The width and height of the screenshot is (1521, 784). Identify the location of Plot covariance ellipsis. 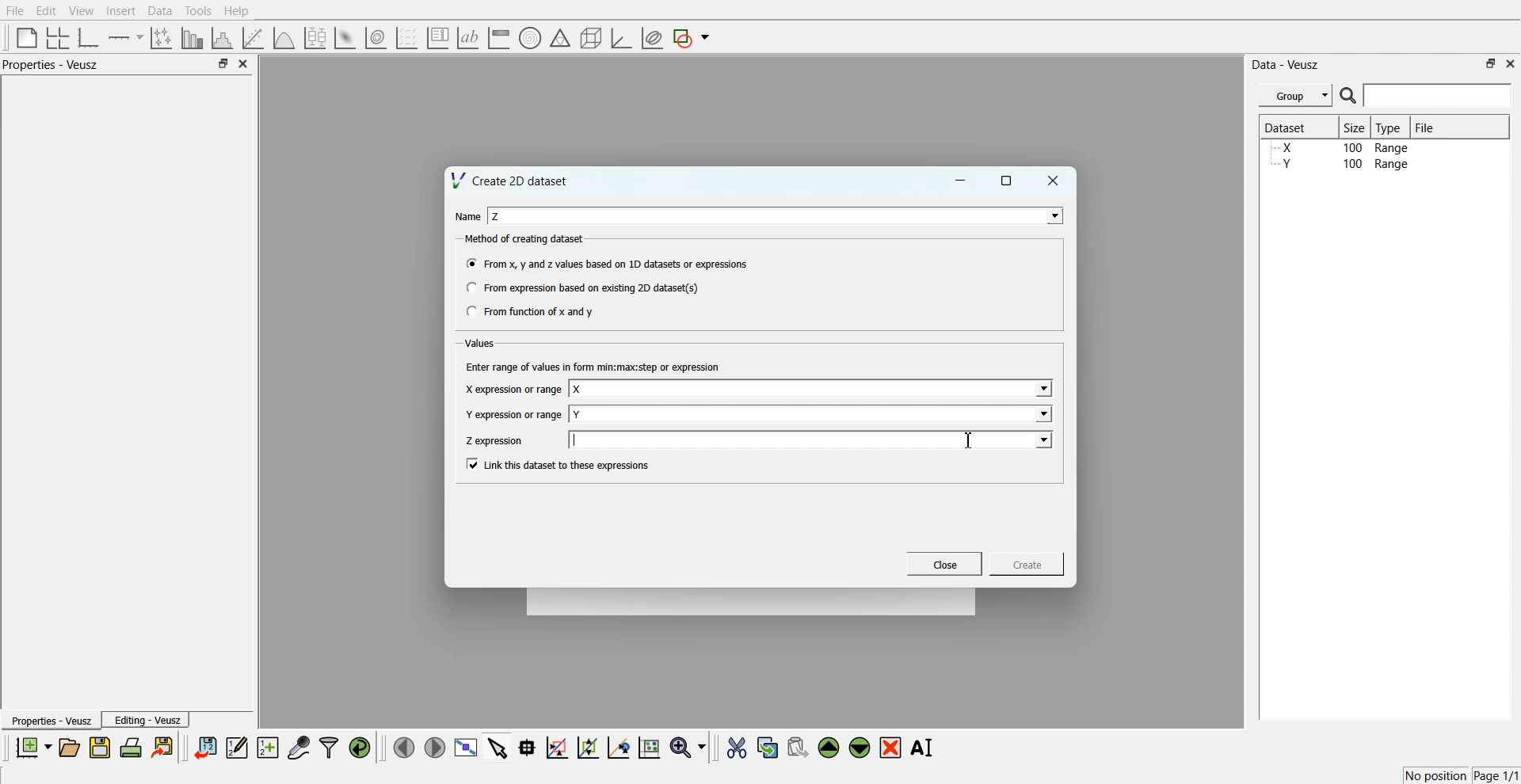
(653, 39).